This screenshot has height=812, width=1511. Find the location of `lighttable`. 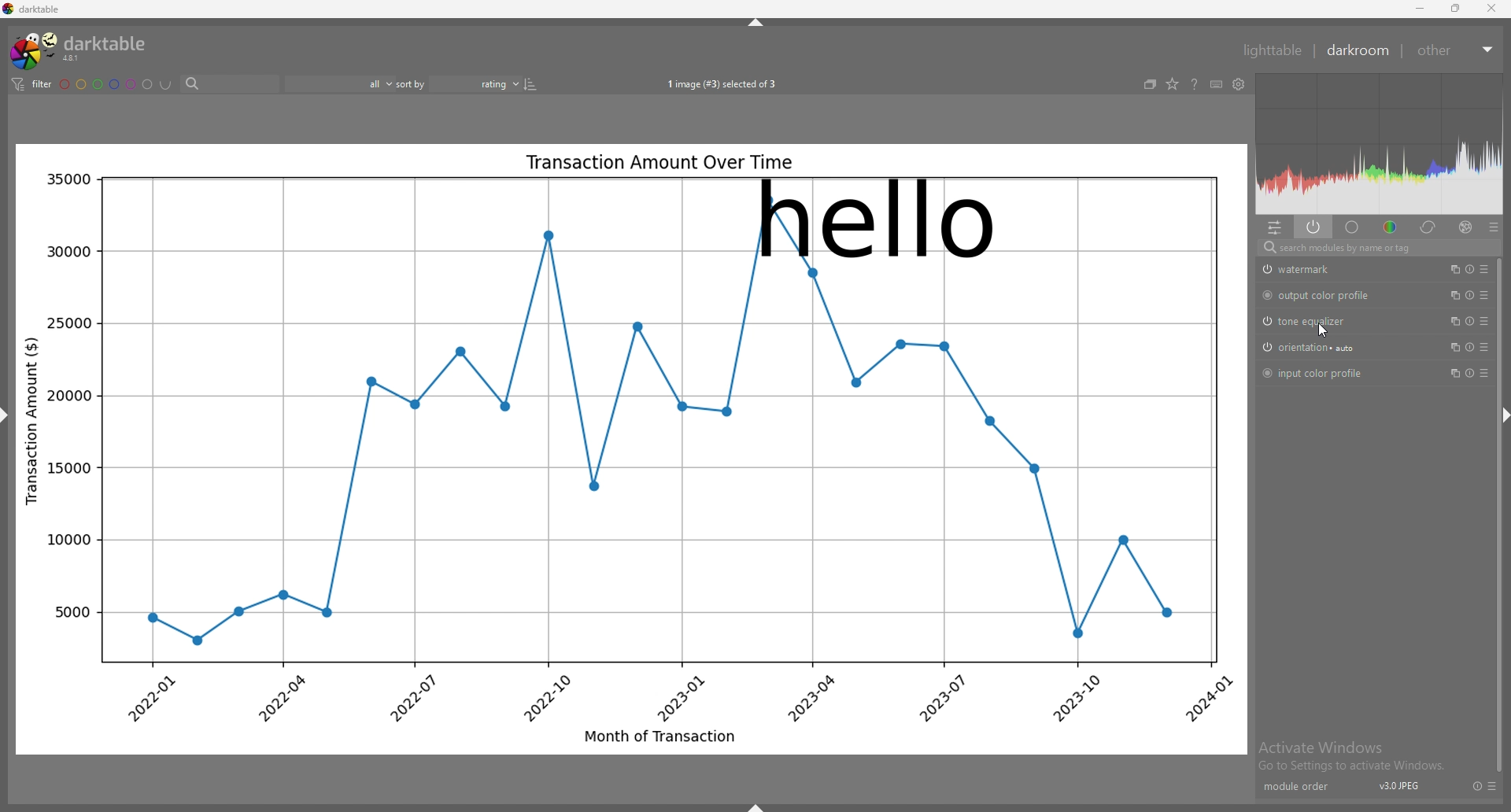

lighttable is located at coordinates (1273, 50).